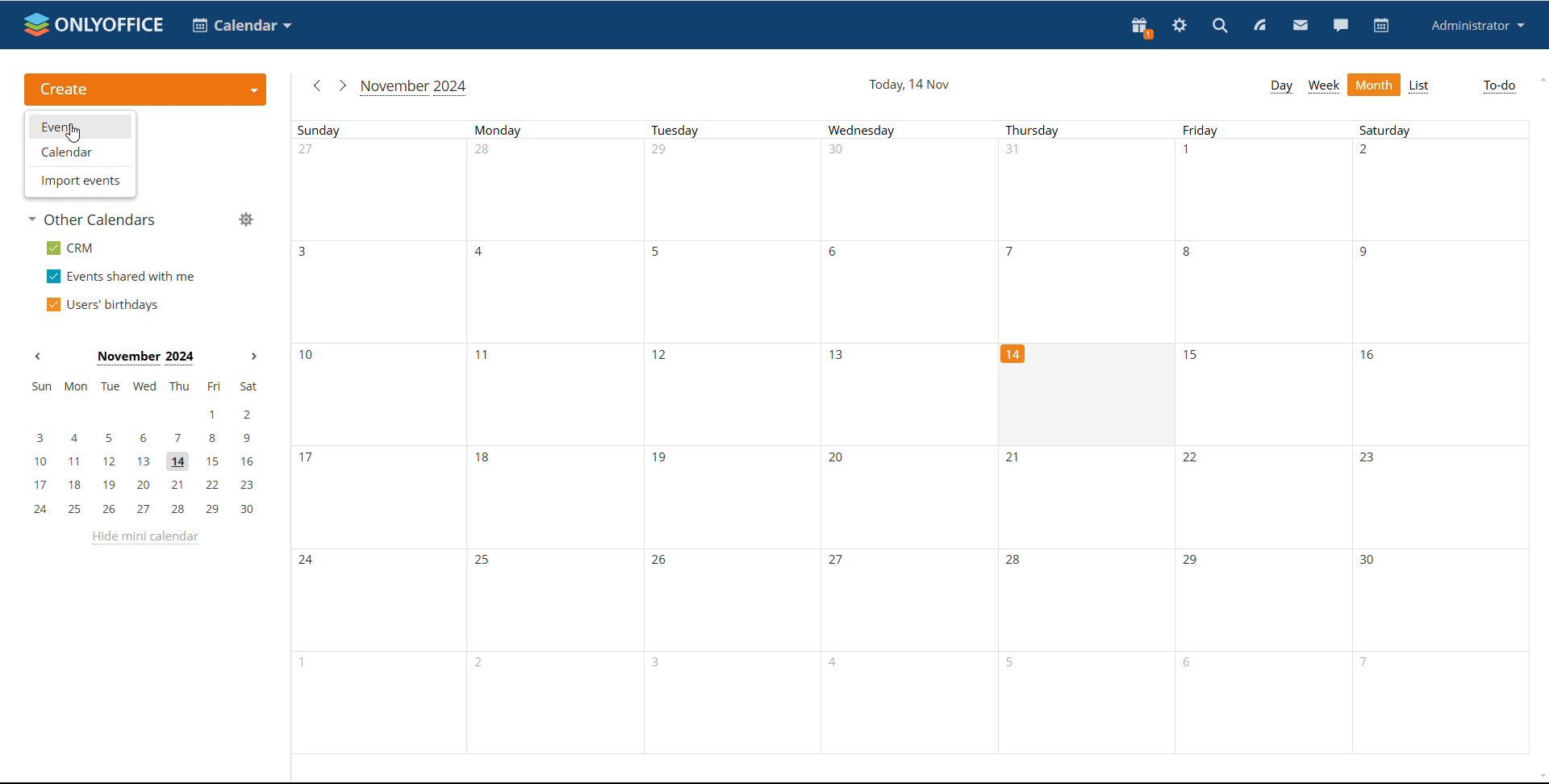  I want to click on events shared with me, so click(123, 276).